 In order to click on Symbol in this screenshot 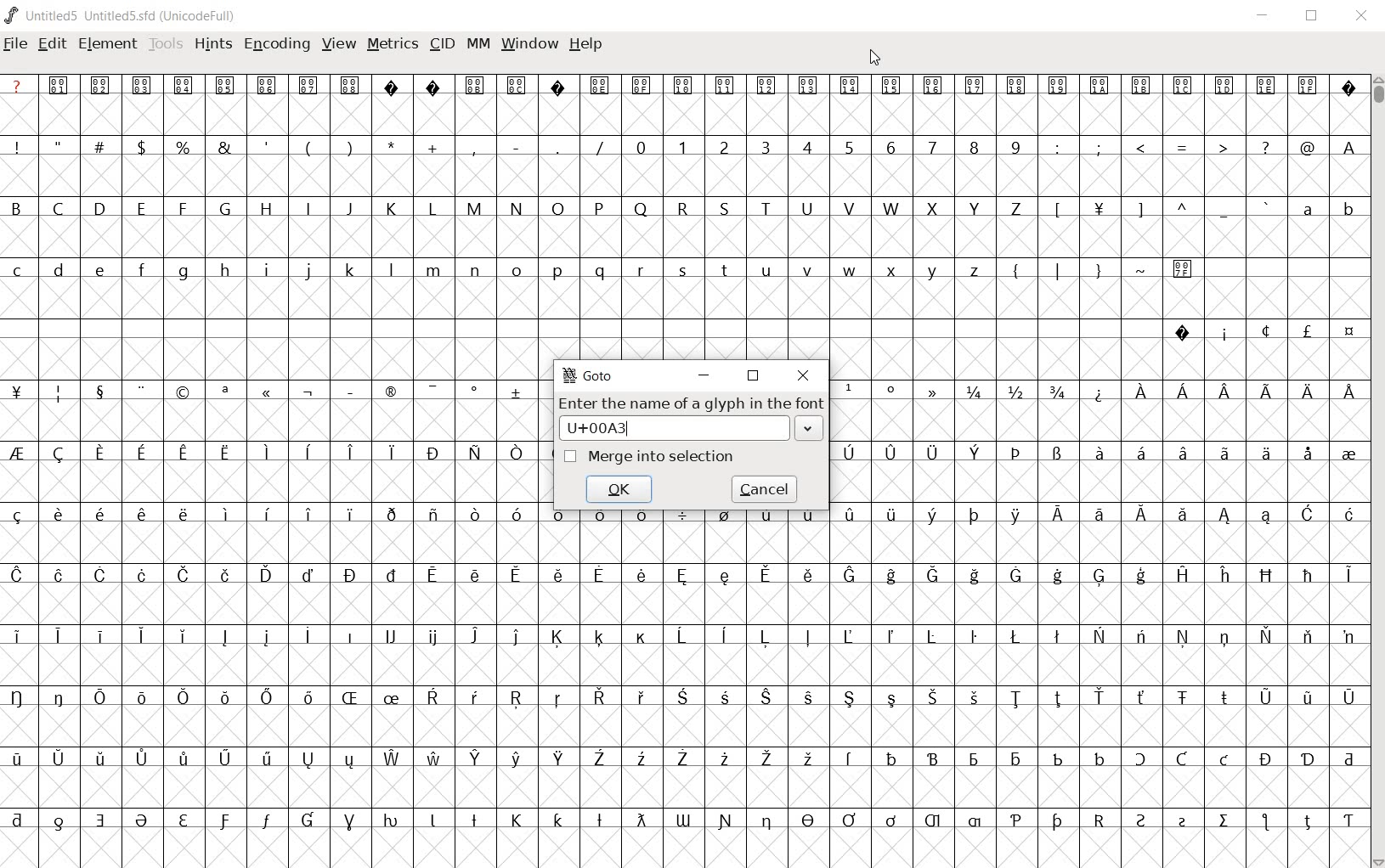, I will do `click(600, 86)`.